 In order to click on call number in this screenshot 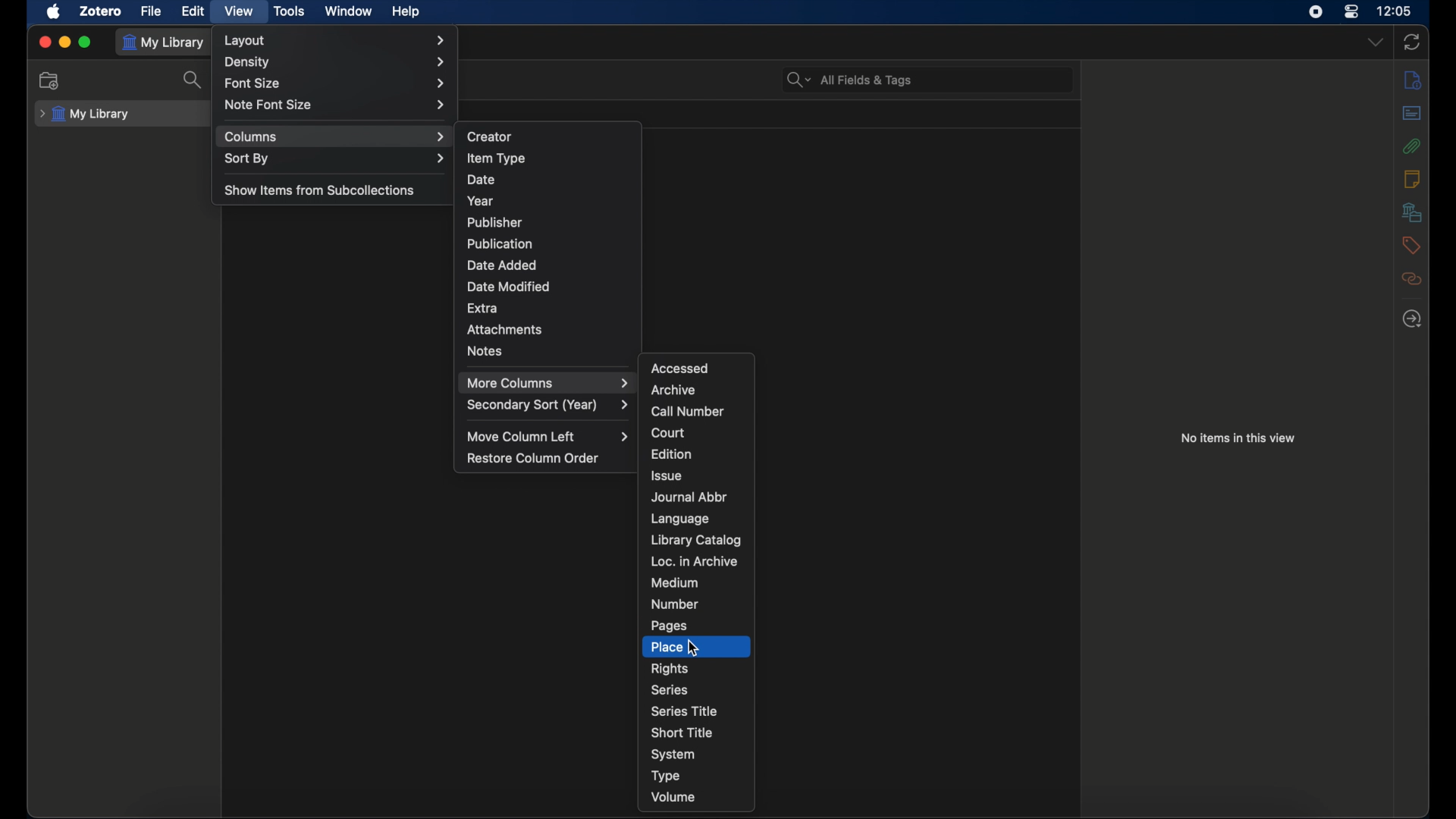, I will do `click(687, 412)`.